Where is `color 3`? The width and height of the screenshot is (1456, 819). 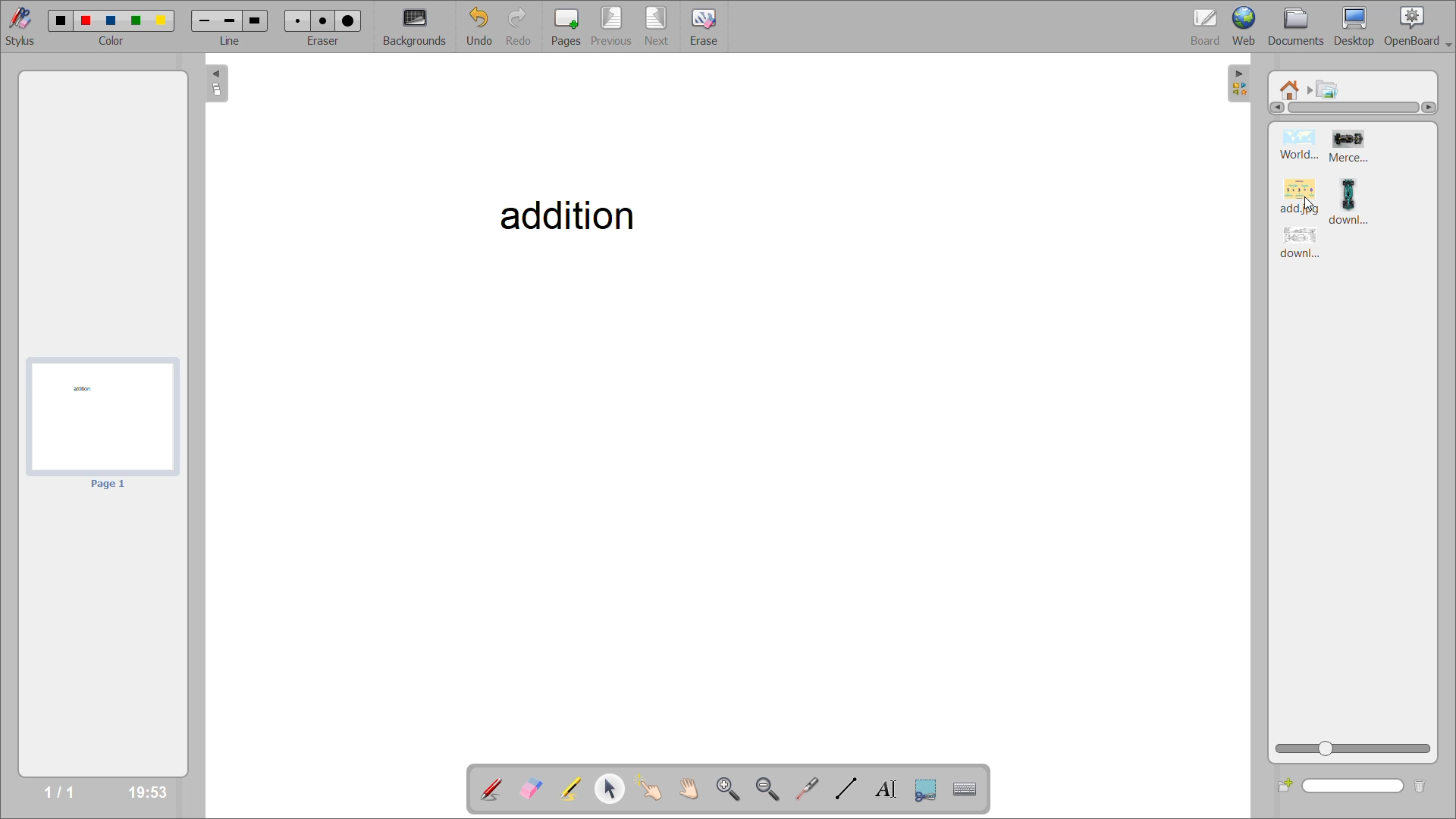 color 3 is located at coordinates (109, 20).